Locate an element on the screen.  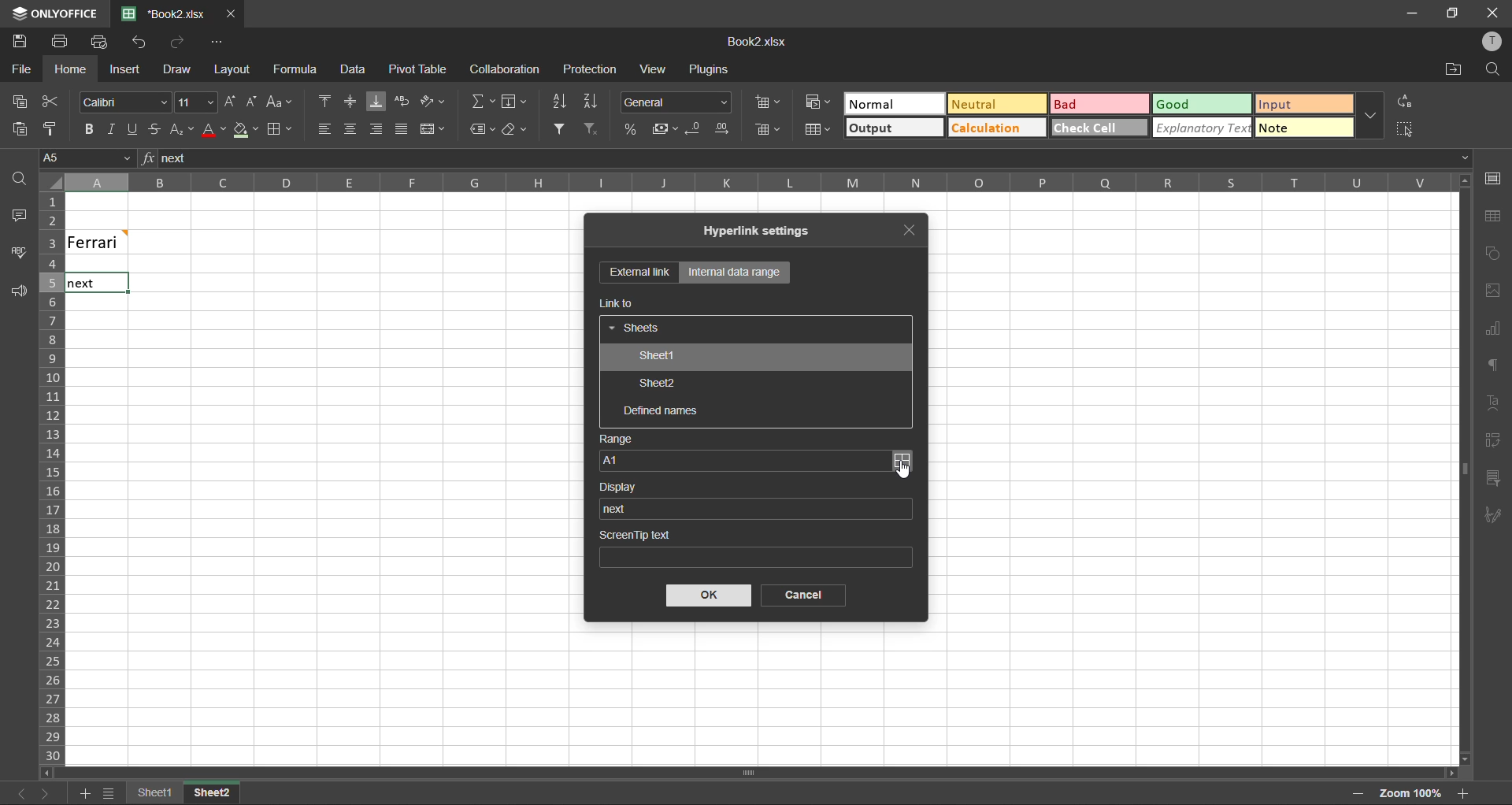
conditional formatting is located at coordinates (812, 102).